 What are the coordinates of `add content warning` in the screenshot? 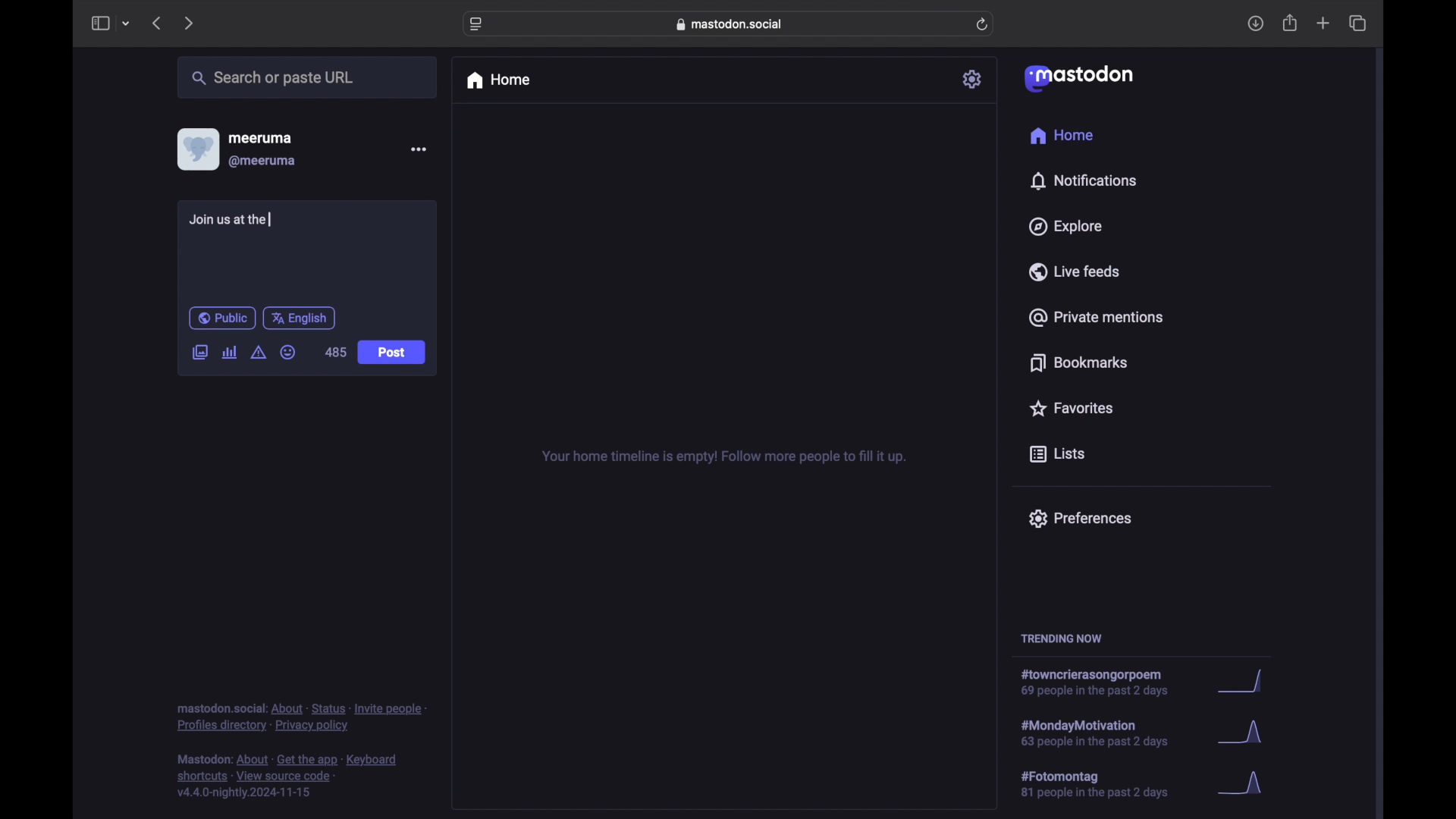 It's located at (258, 353).